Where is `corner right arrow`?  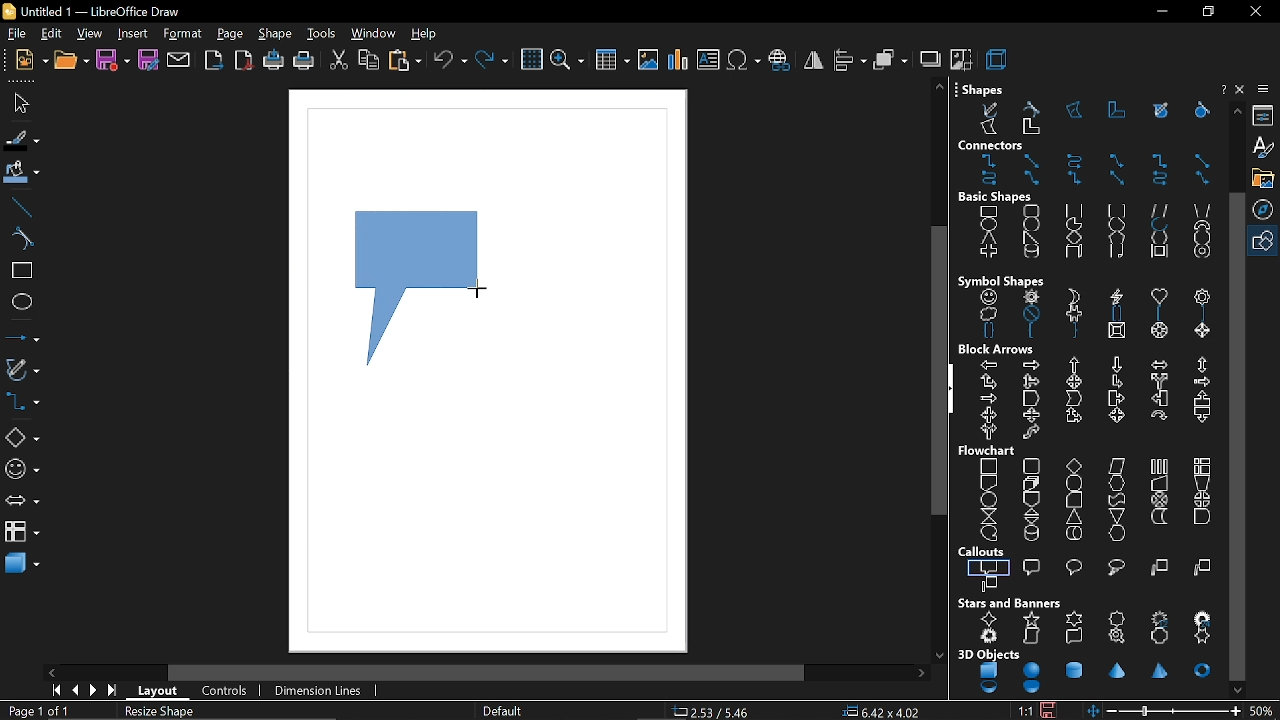
corner right arrow is located at coordinates (1117, 382).